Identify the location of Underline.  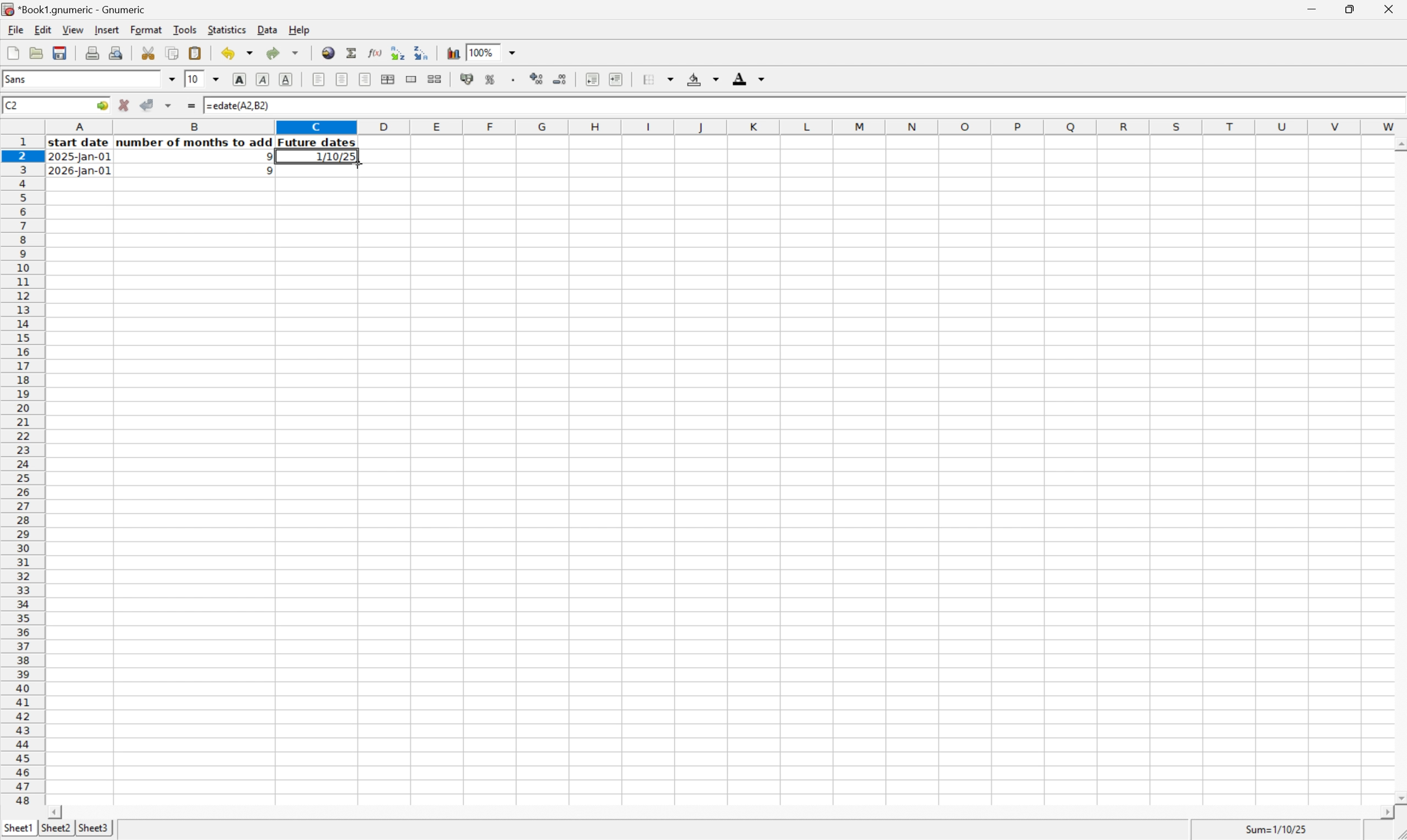
(288, 79).